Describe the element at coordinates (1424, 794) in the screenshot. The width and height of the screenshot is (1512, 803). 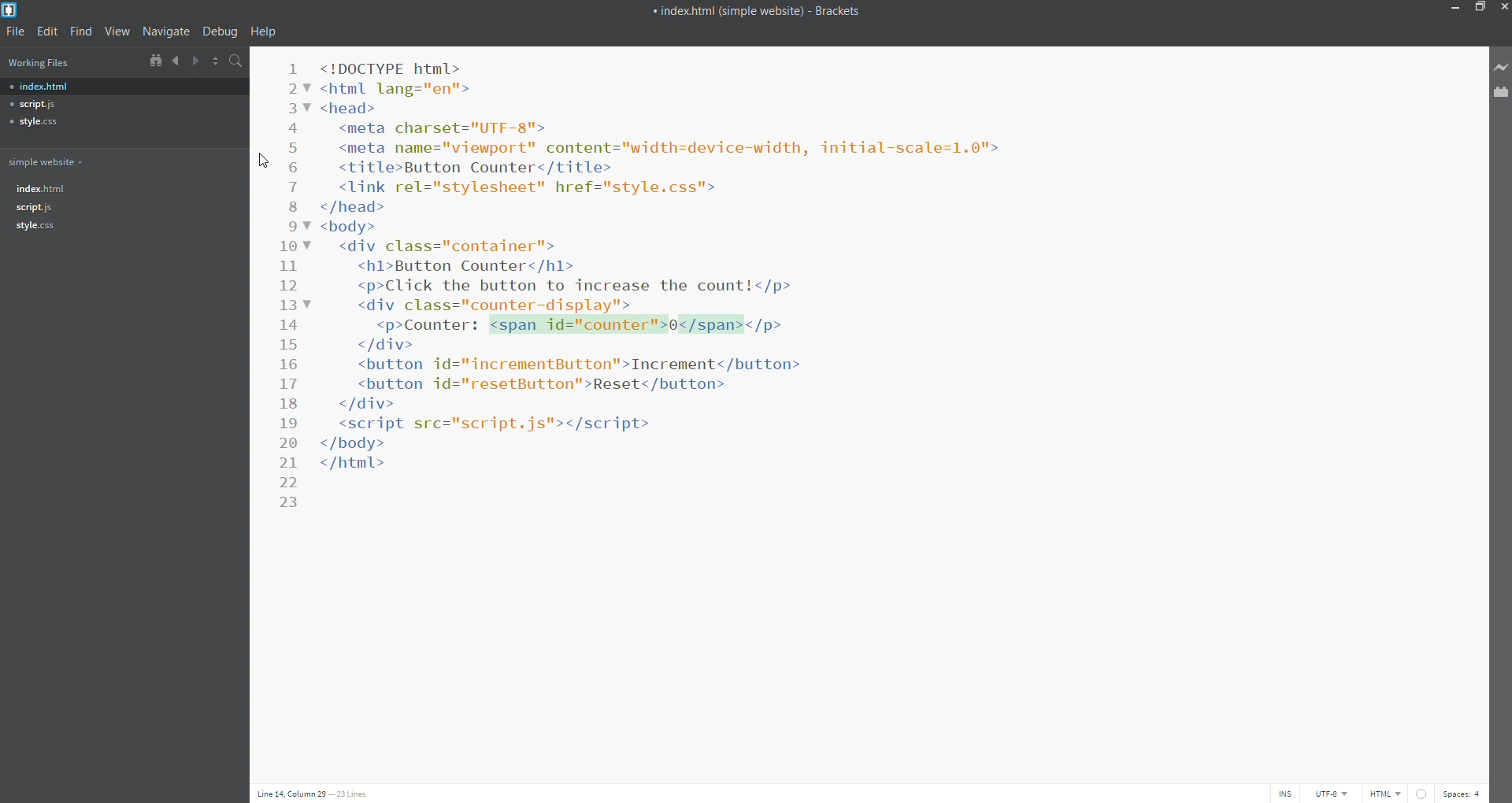
I see `error` at that location.